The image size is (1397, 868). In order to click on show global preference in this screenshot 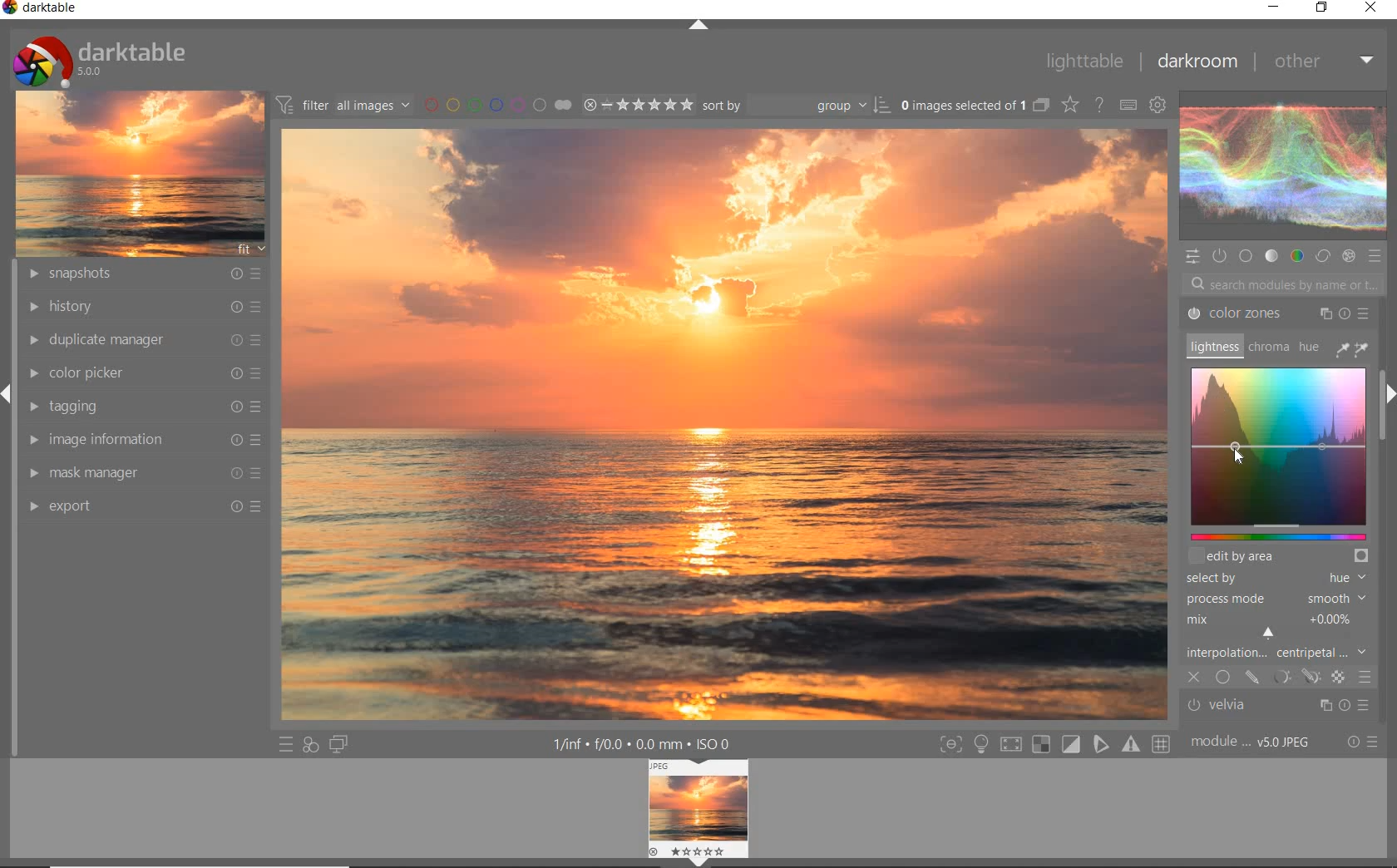, I will do `click(1159, 104)`.